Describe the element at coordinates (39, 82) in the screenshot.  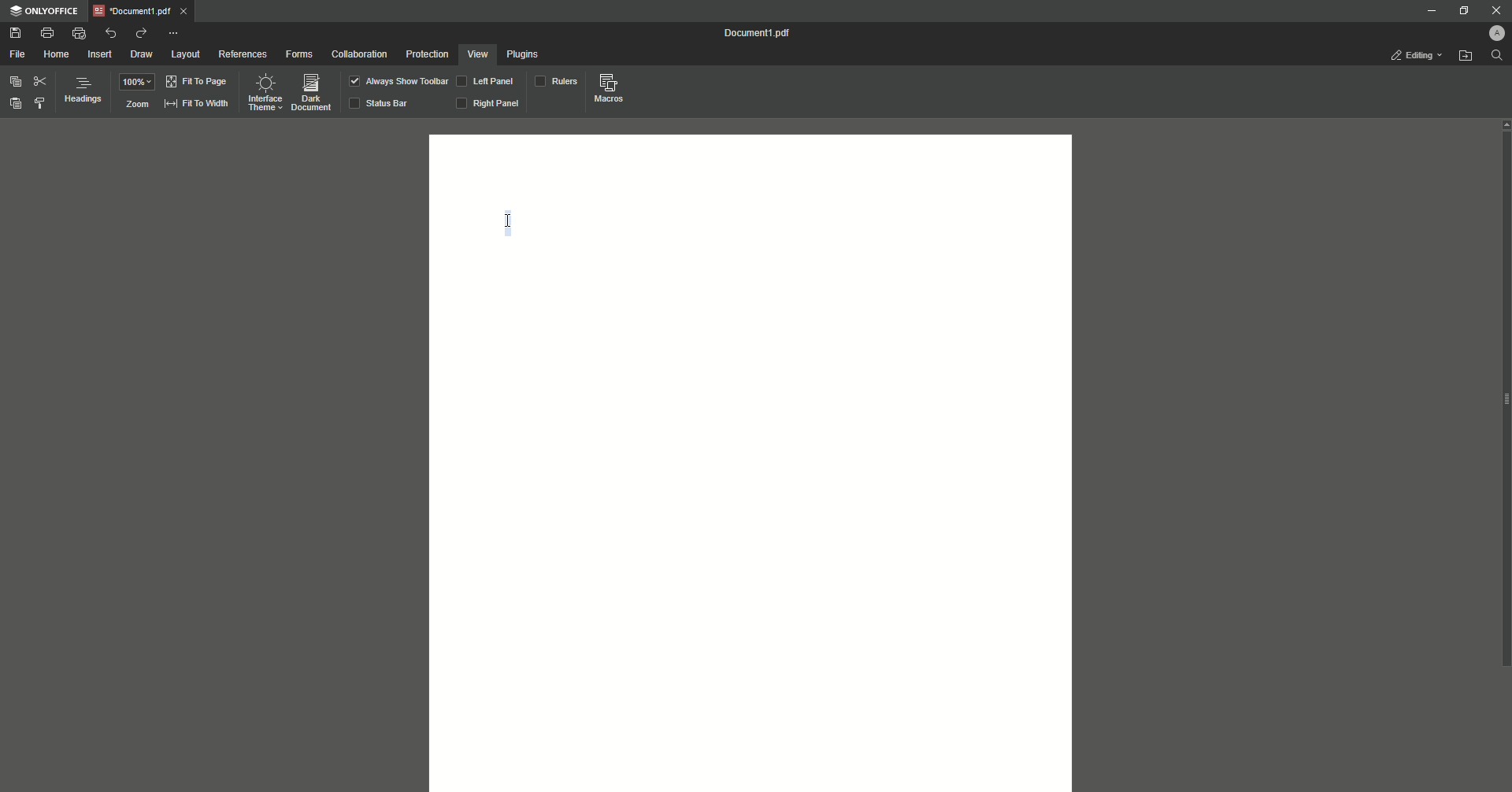
I see `Cut` at that location.